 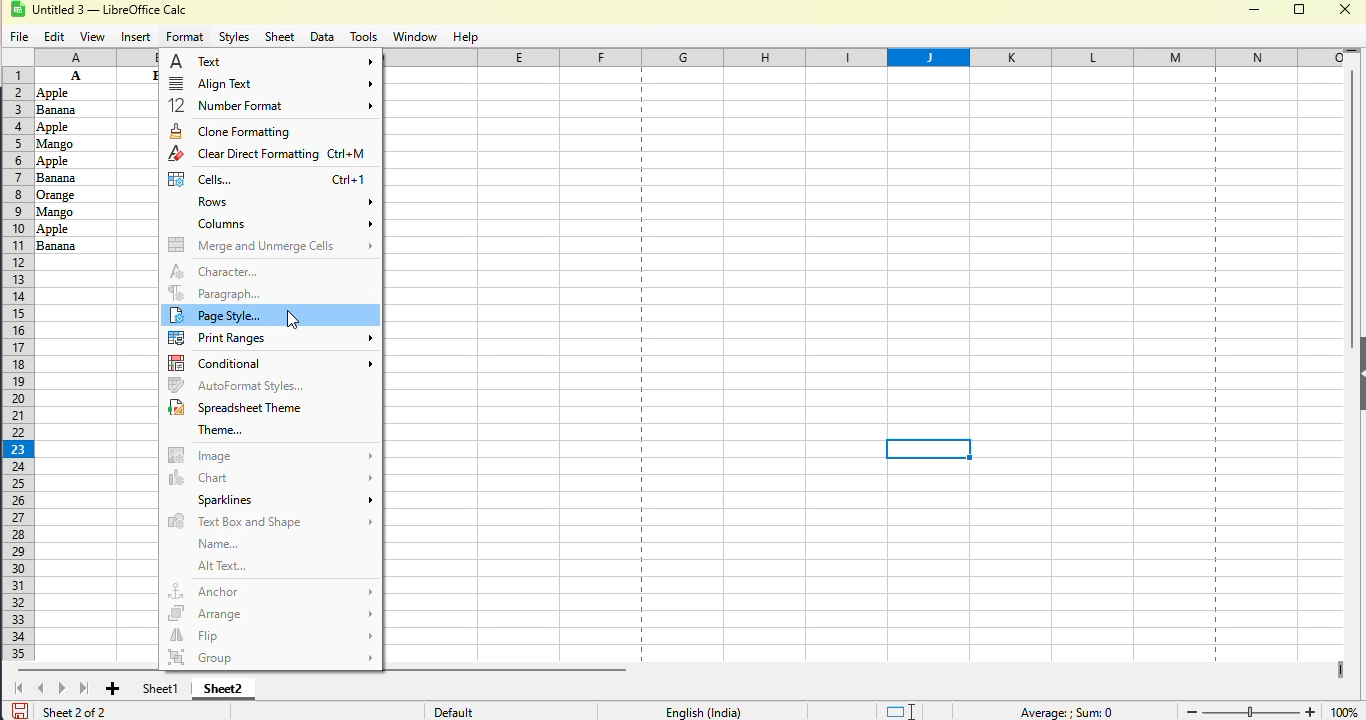 I want to click on click to save document, so click(x=19, y=710).